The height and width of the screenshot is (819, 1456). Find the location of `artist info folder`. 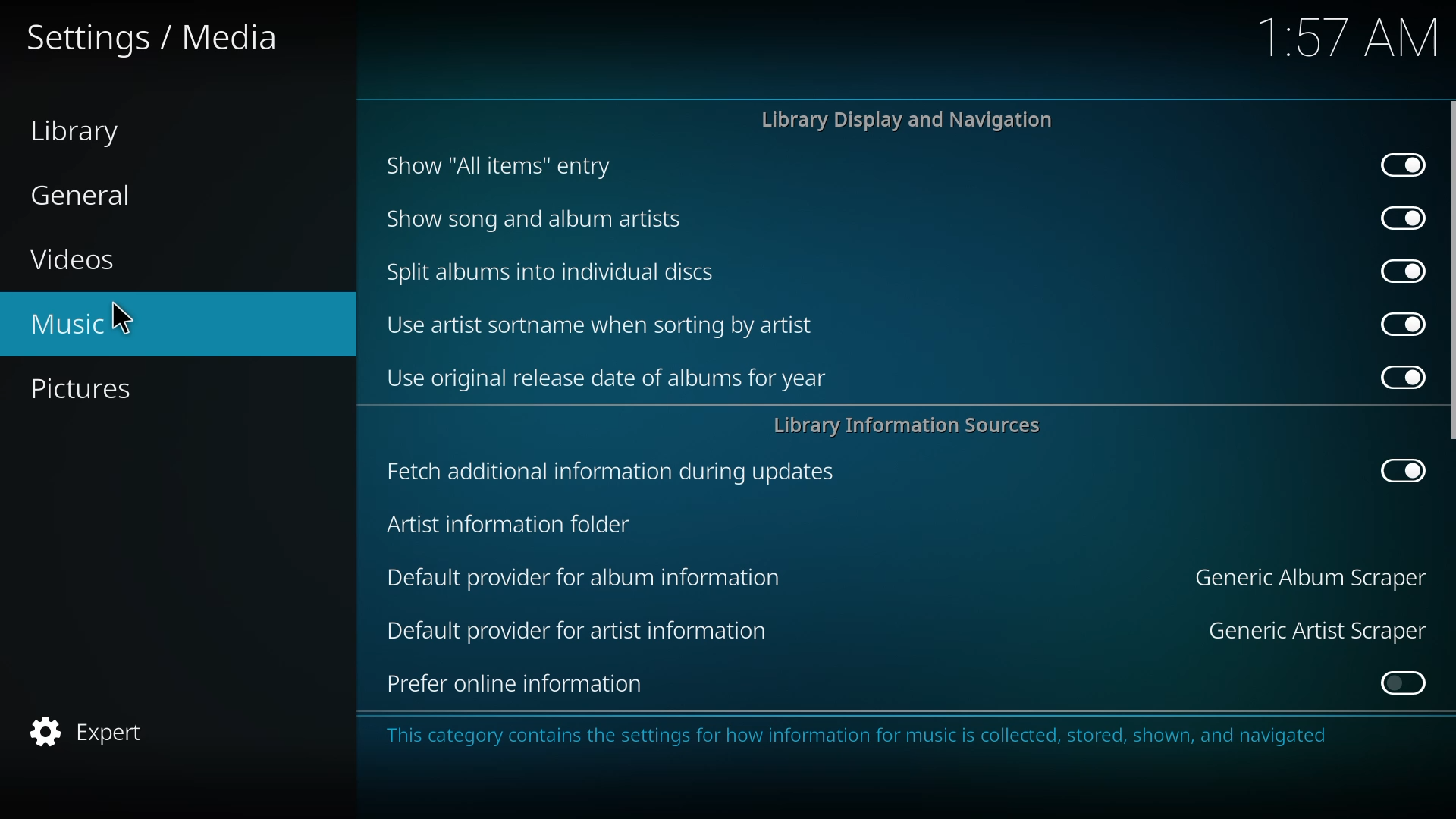

artist info folder is located at coordinates (507, 525).